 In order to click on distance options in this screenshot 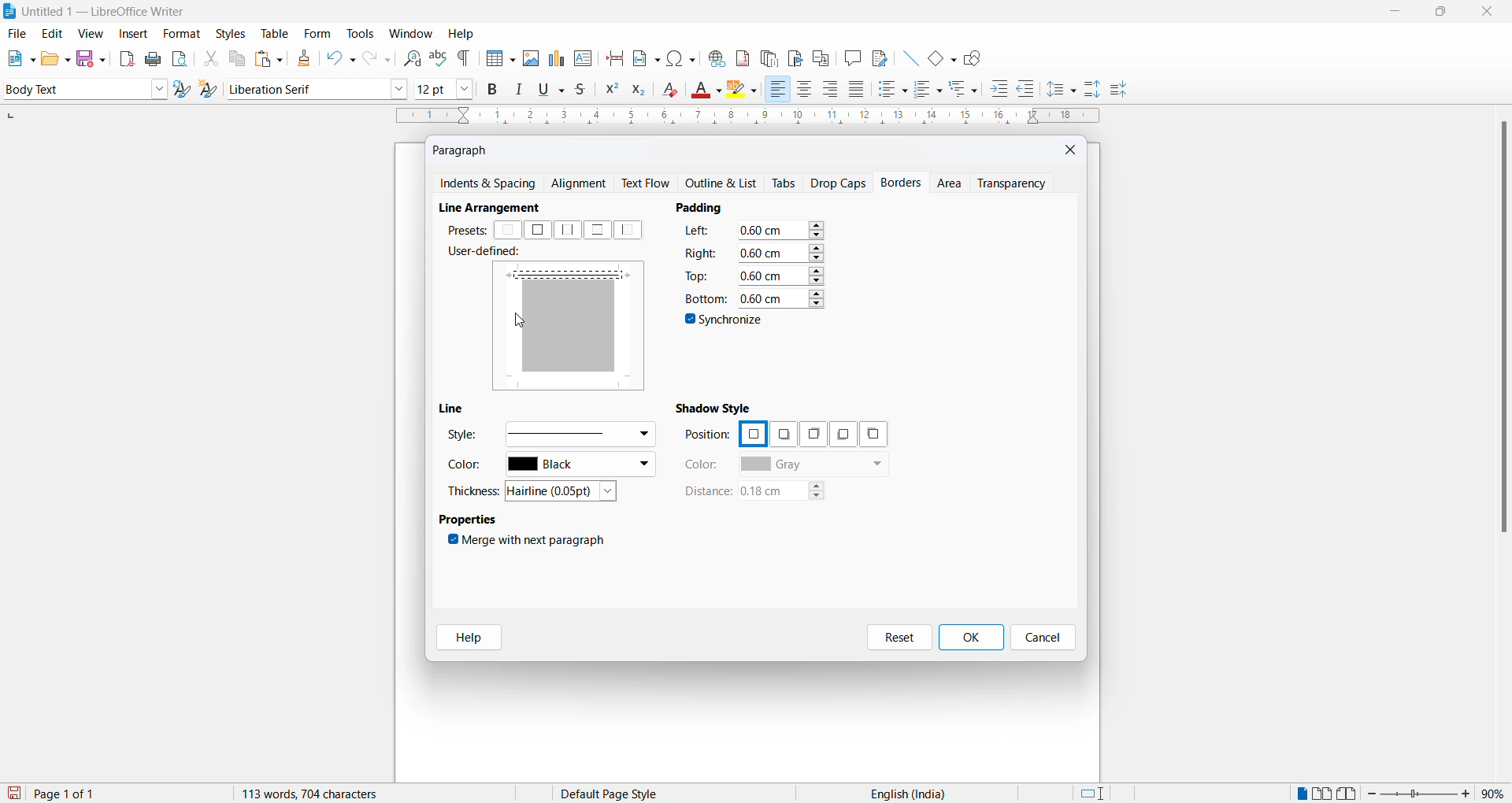, I will do `click(790, 494)`.